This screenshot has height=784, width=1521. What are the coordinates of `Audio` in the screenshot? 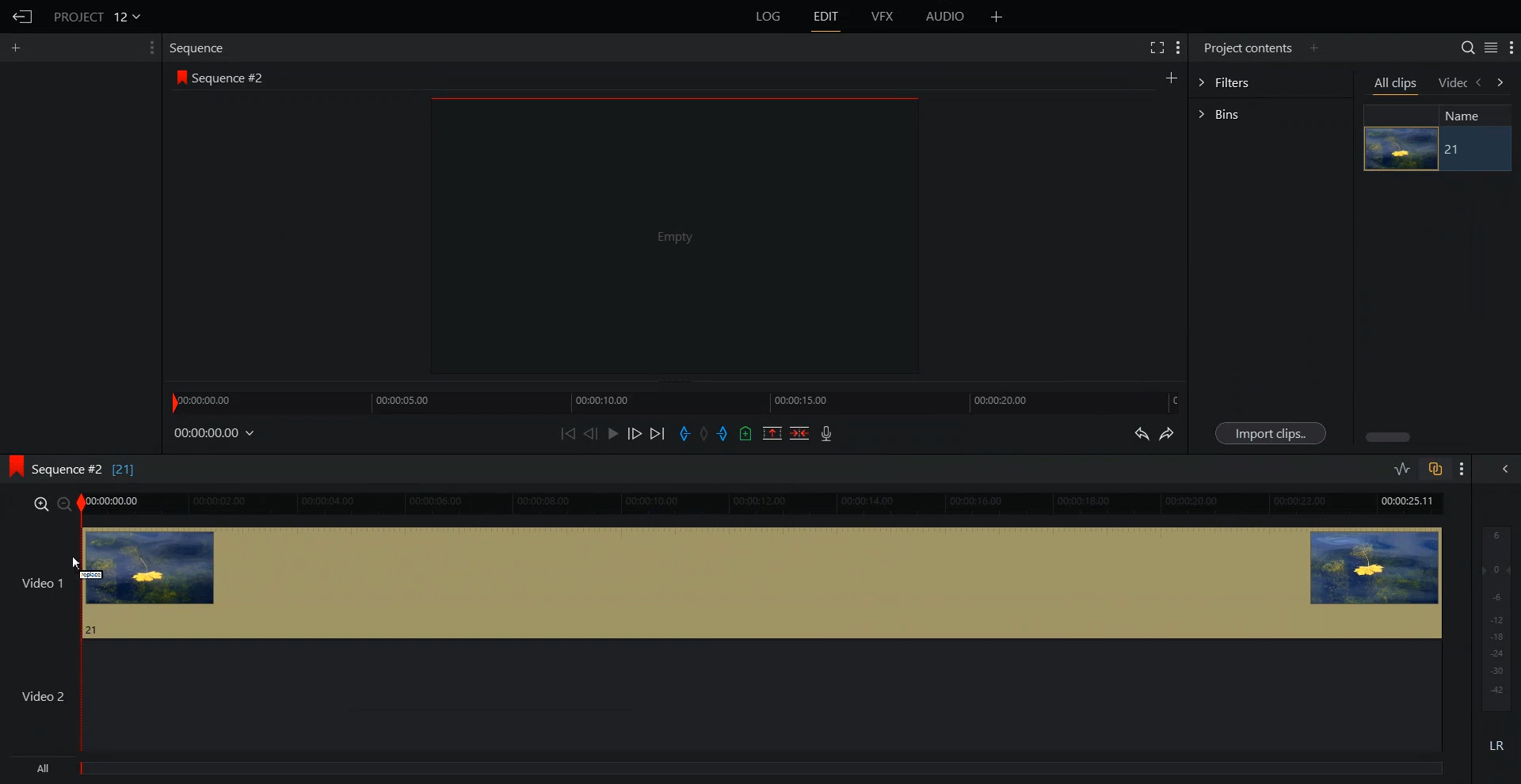 It's located at (947, 17).